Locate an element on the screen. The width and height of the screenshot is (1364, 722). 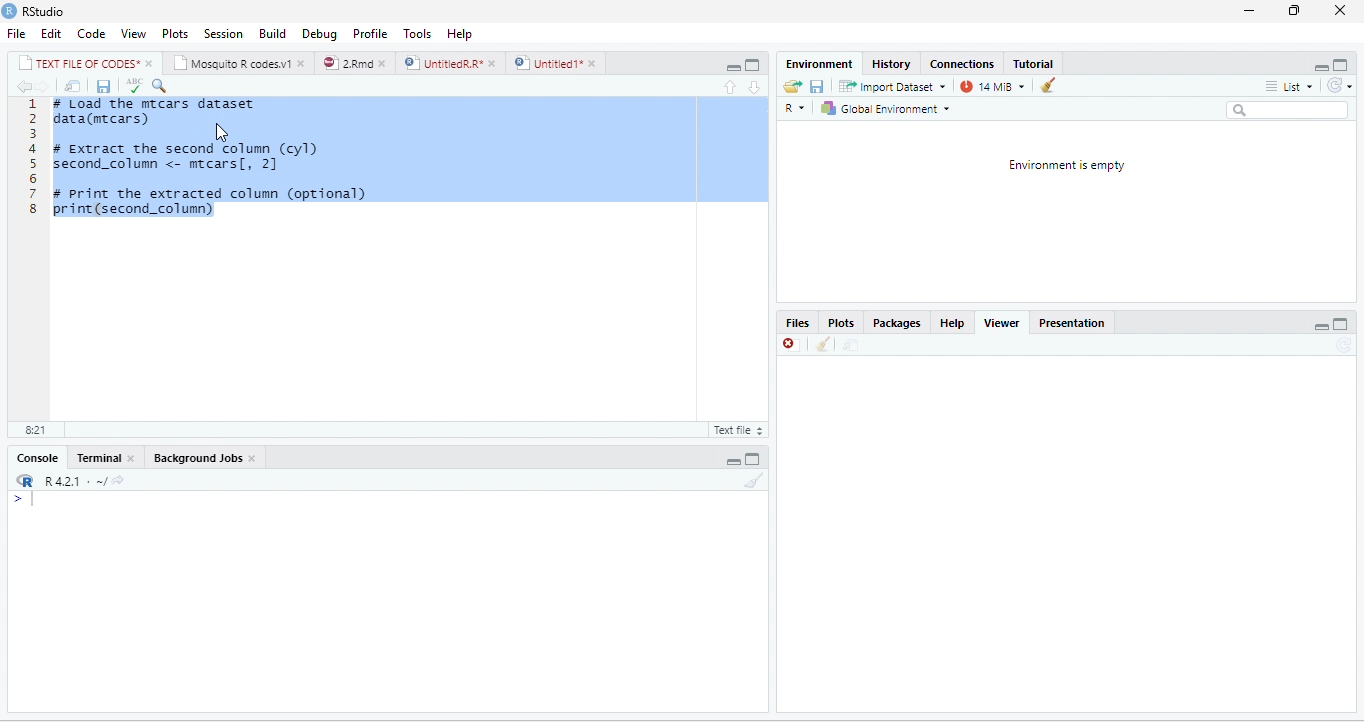
Tutorial is located at coordinates (1032, 62).